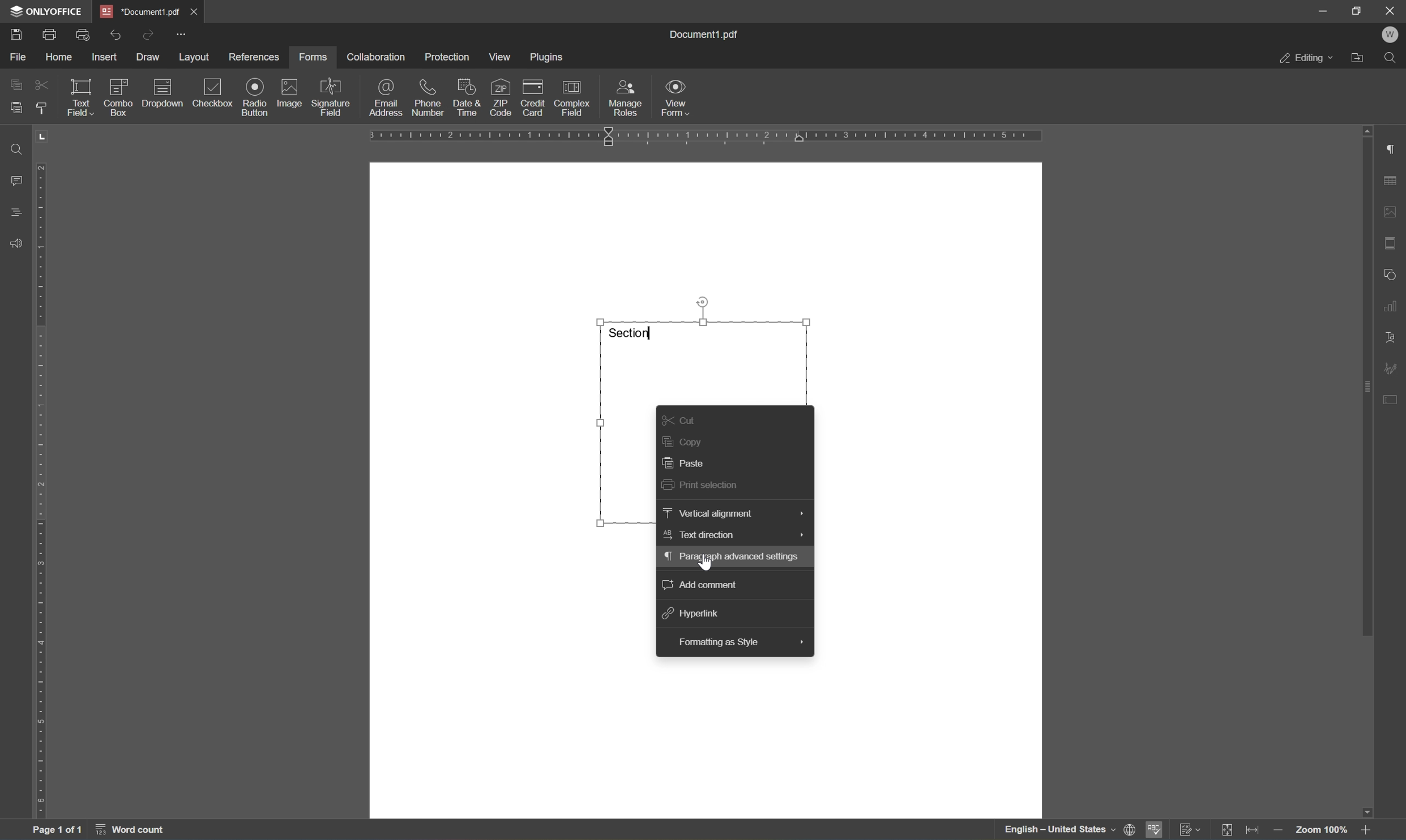 The width and height of the screenshot is (1406, 840). What do you see at coordinates (706, 563) in the screenshot?
I see `Cursor` at bounding box center [706, 563].